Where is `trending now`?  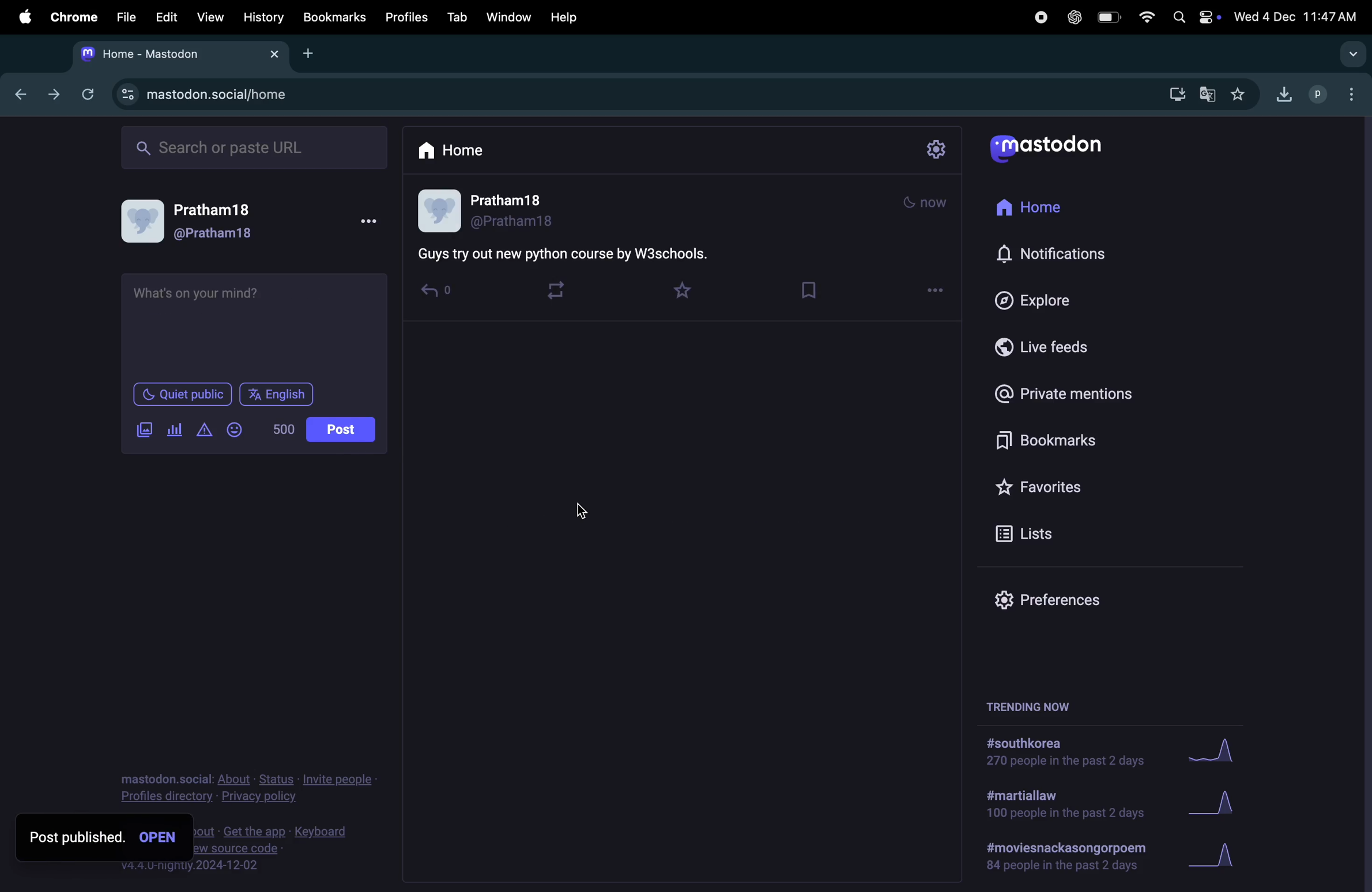
trending now is located at coordinates (1031, 705).